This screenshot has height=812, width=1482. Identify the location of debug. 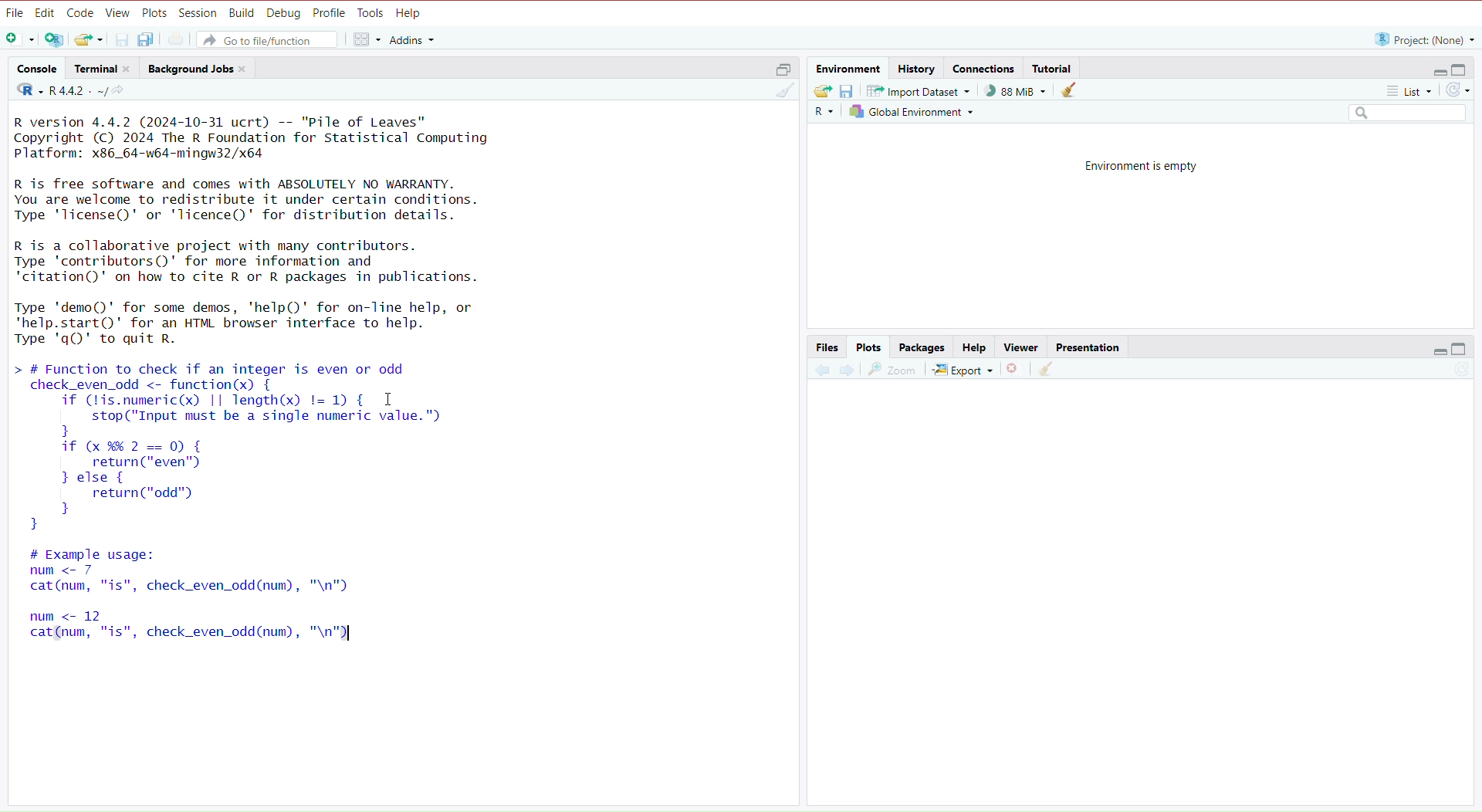
(284, 14).